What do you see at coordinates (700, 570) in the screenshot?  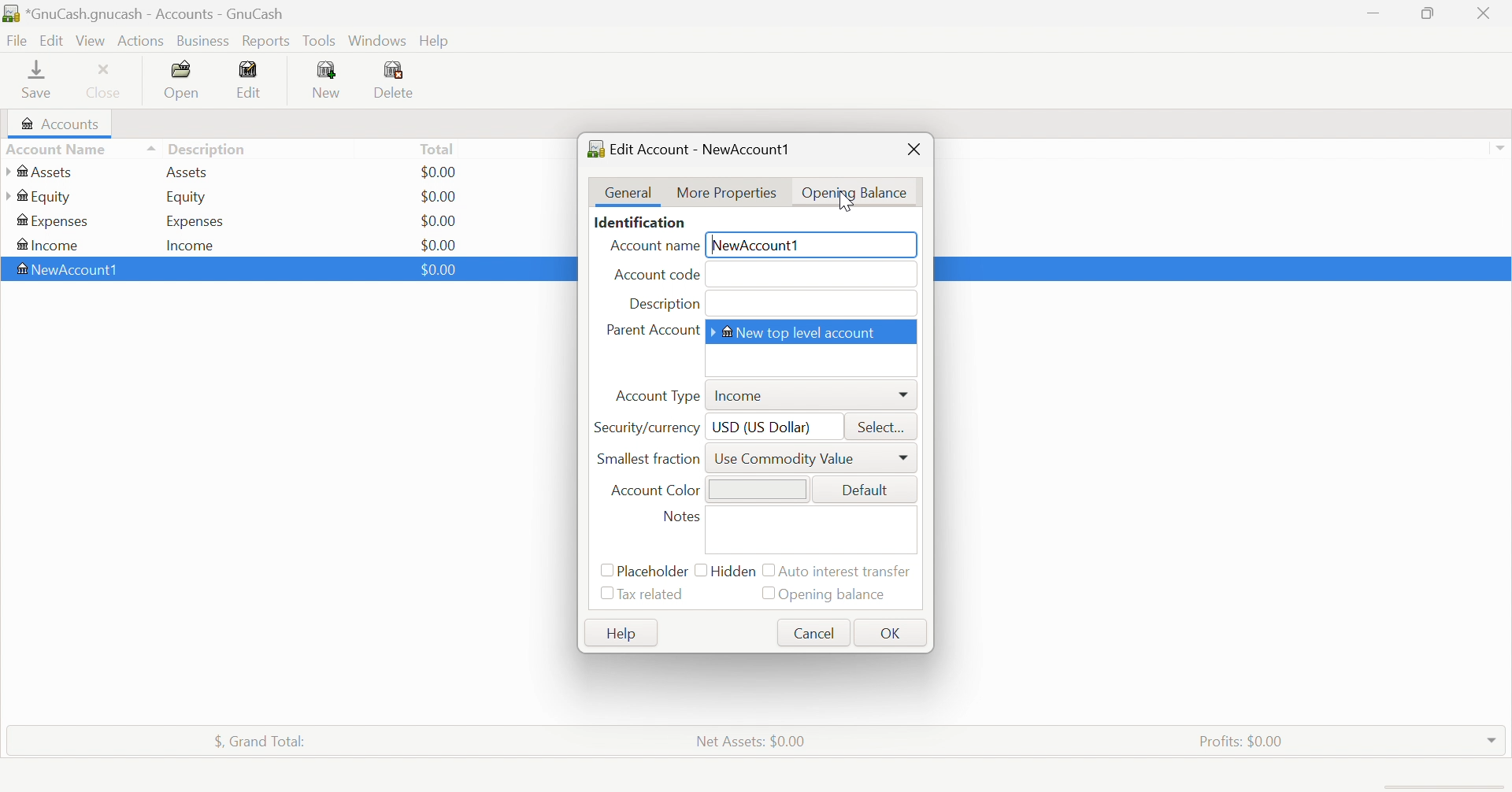 I see `Checkbox` at bounding box center [700, 570].